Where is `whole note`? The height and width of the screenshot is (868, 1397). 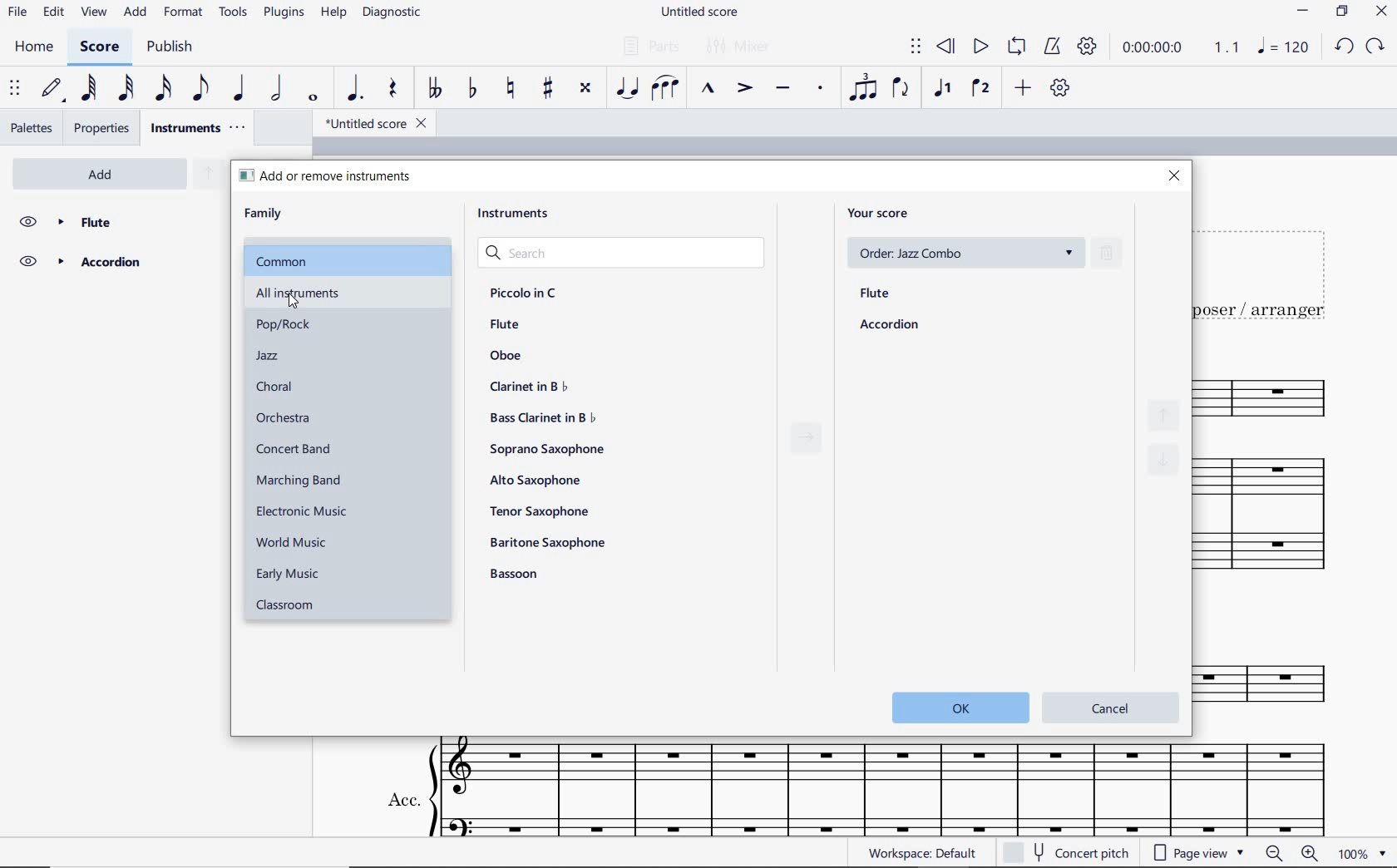
whole note is located at coordinates (311, 98).